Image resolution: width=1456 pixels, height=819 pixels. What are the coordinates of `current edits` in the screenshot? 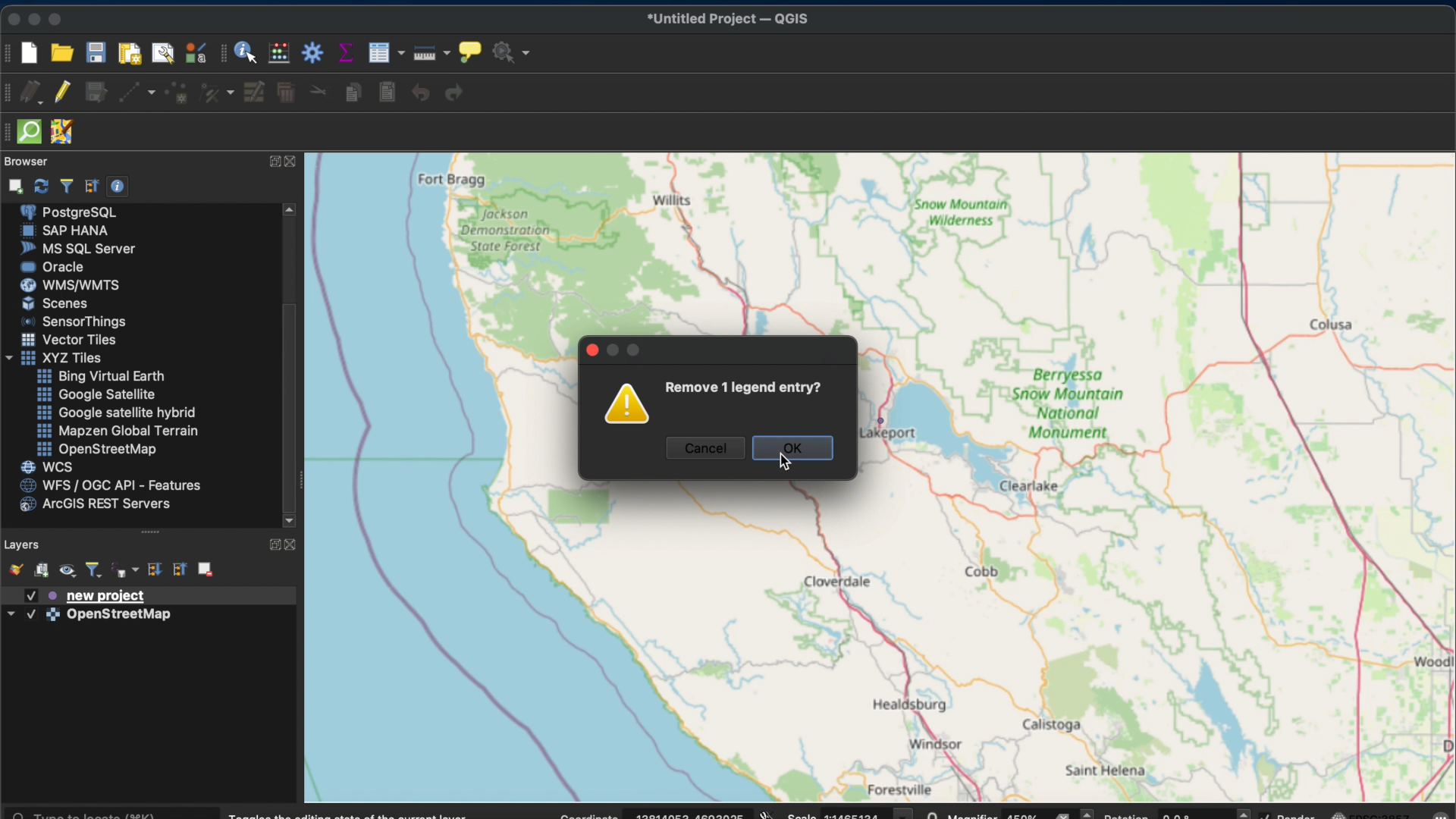 It's located at (33, 93).